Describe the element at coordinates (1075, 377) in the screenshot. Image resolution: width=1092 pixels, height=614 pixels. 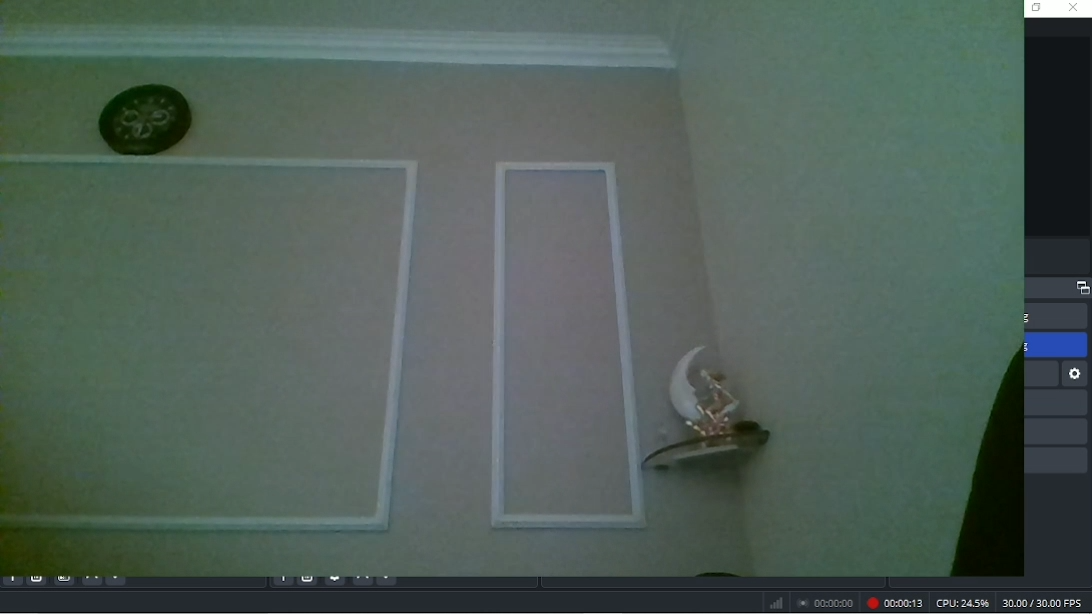
I see `settings` at that location.